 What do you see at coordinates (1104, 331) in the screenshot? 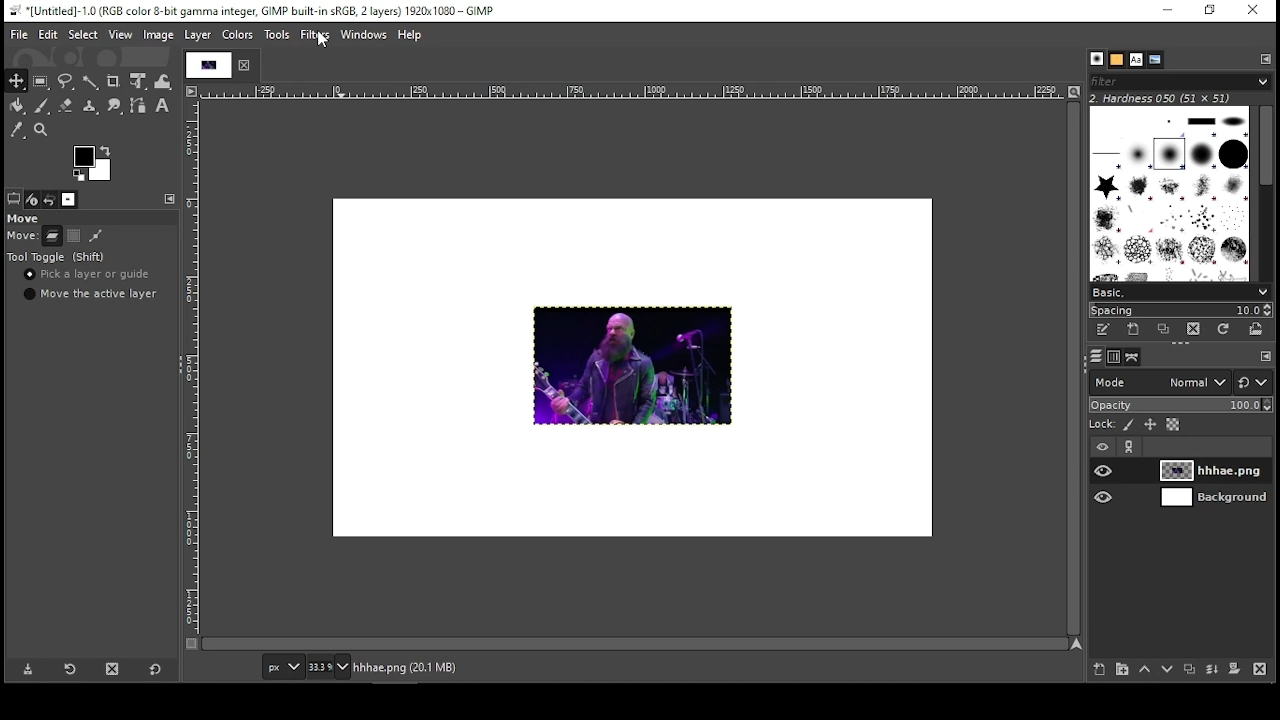
I see `edit this brush` at bounding box center [1104, 331].